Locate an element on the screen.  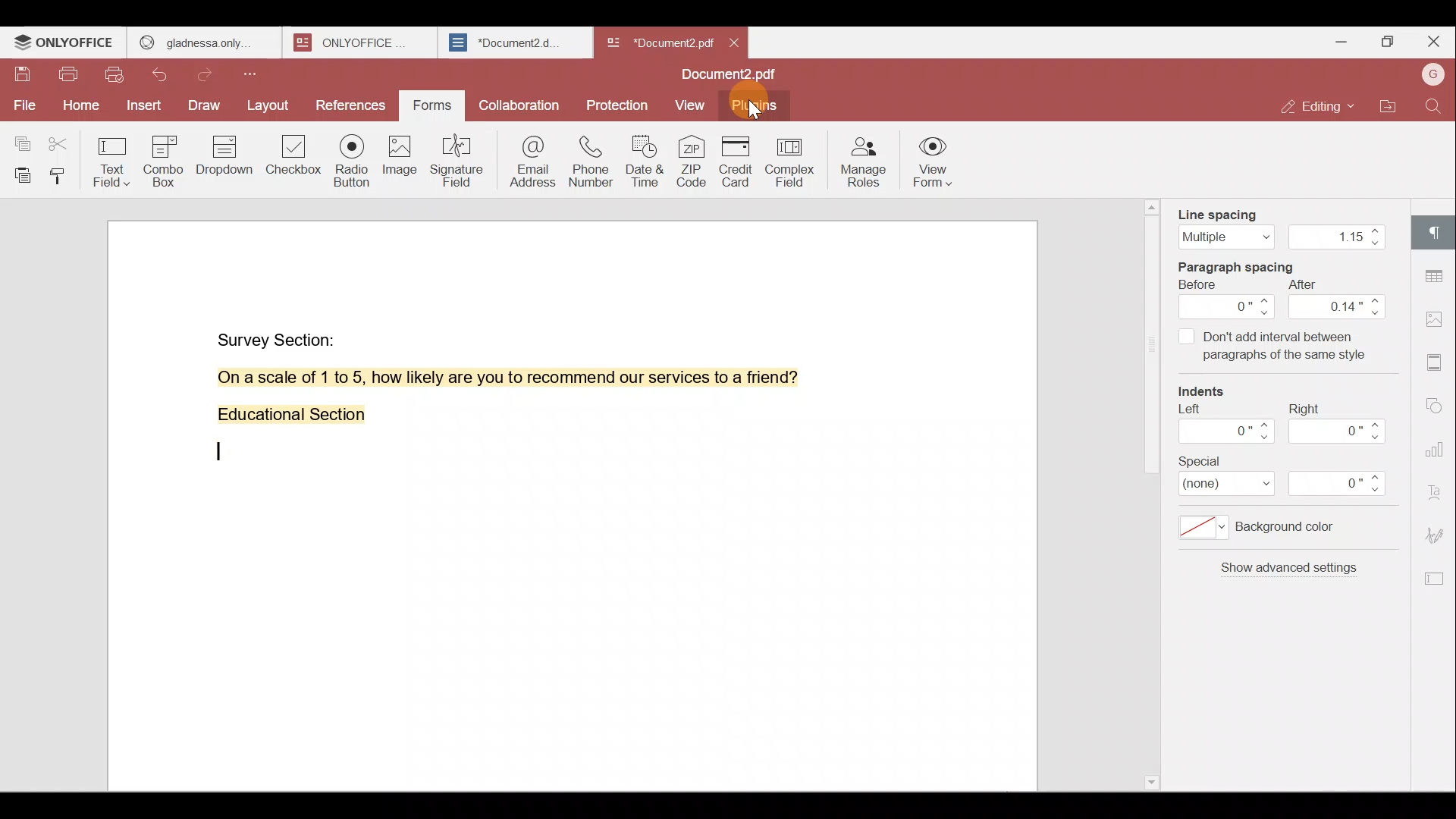
Signature field is located at coordinates (454, 160).